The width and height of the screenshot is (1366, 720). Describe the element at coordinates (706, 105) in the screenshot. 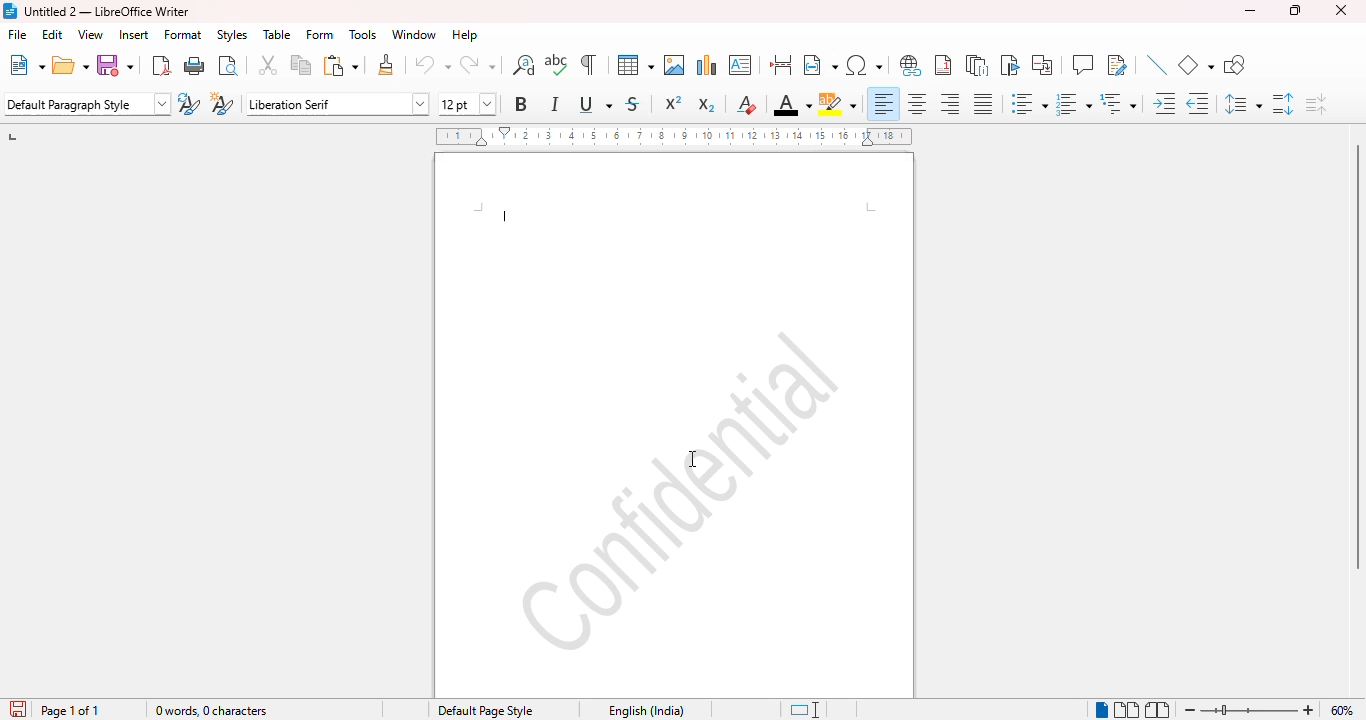

I see `subscript` at that location.